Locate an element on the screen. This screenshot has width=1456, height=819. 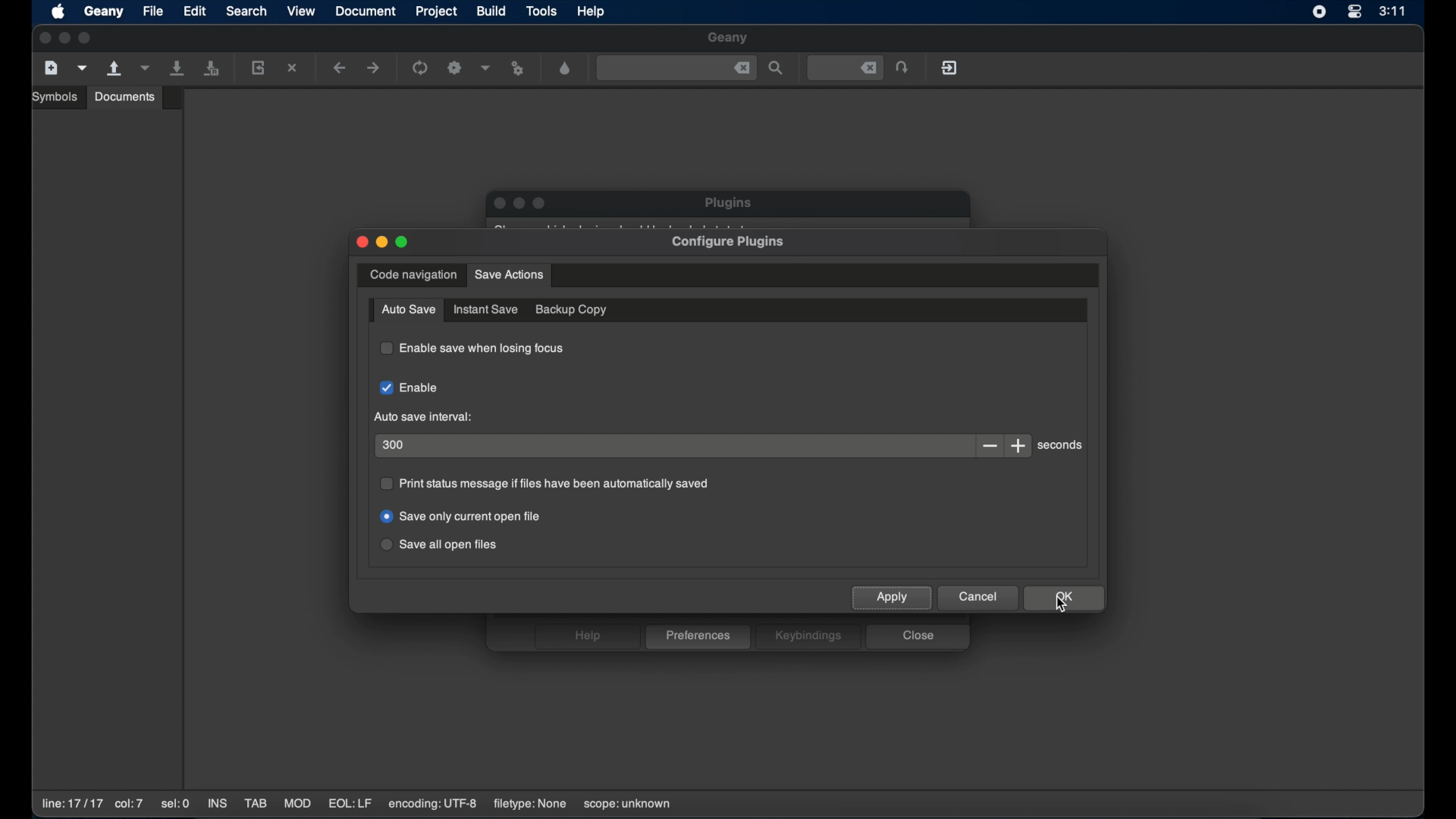
view is located at coordinates (302, 11).